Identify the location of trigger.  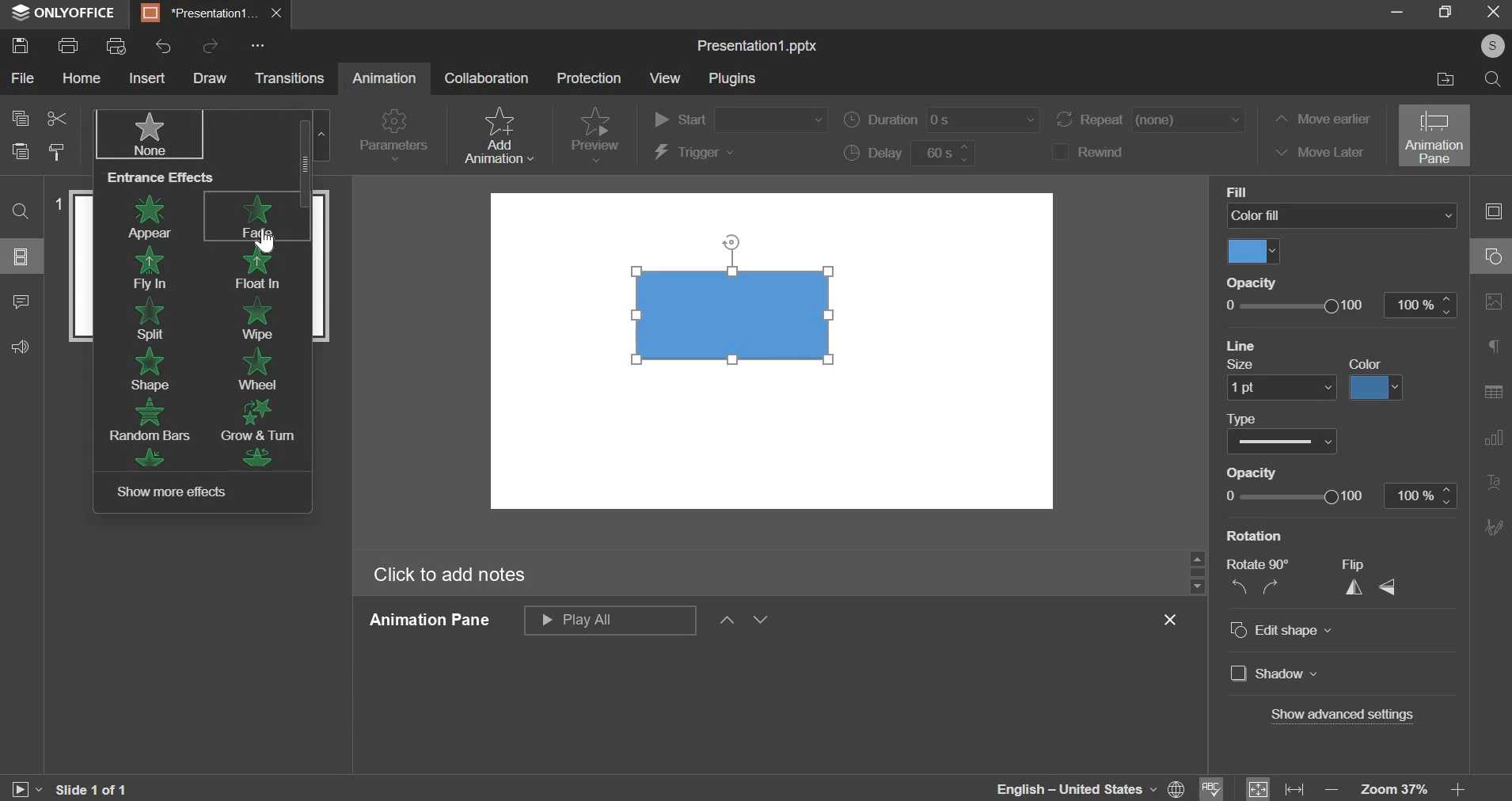
(697, 154).